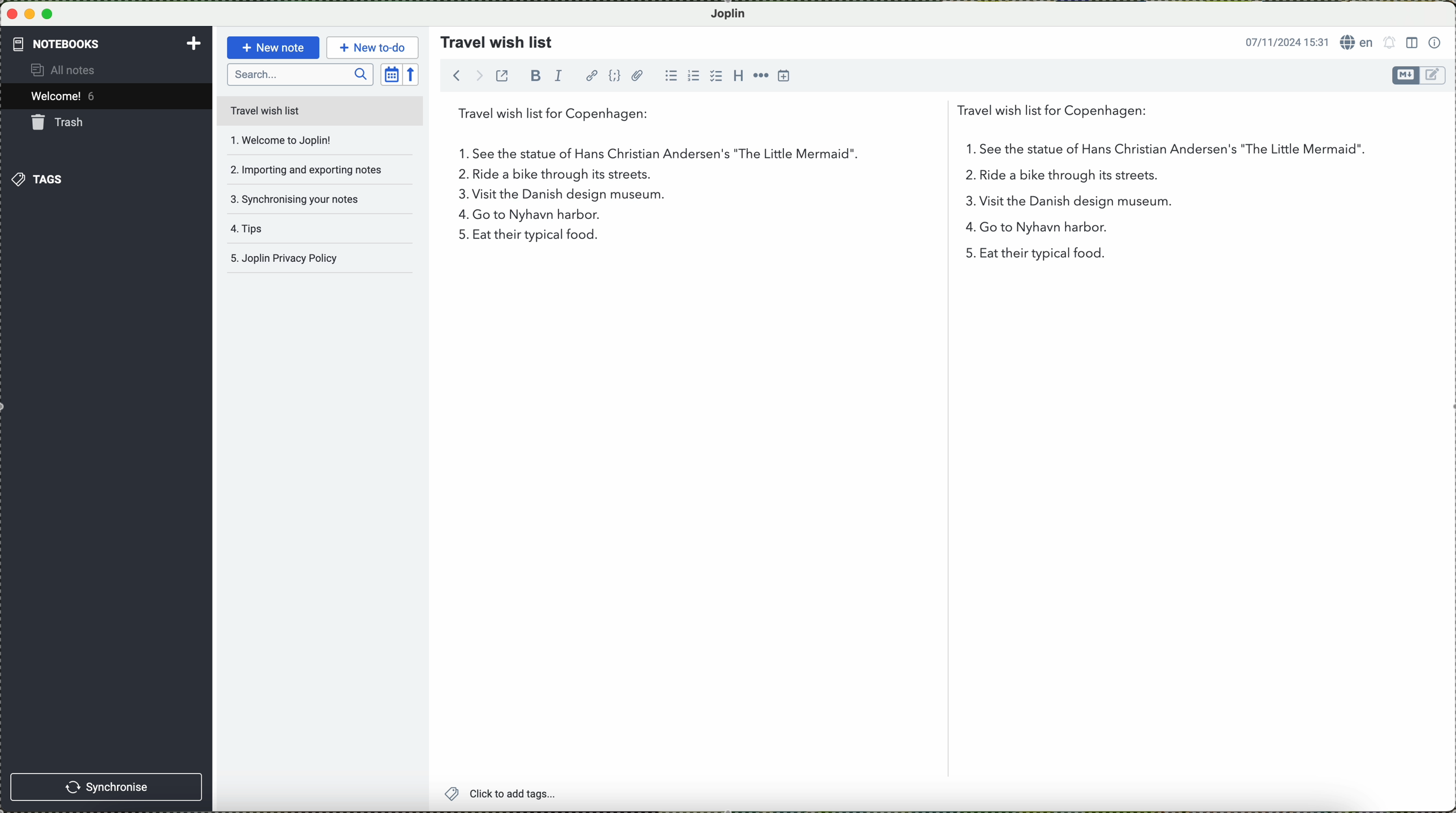 This screenshot has width=1456, height=813. Describe the element at coordinates (1051, 254) in the screenshot. I see `eat their typical food` at that location.